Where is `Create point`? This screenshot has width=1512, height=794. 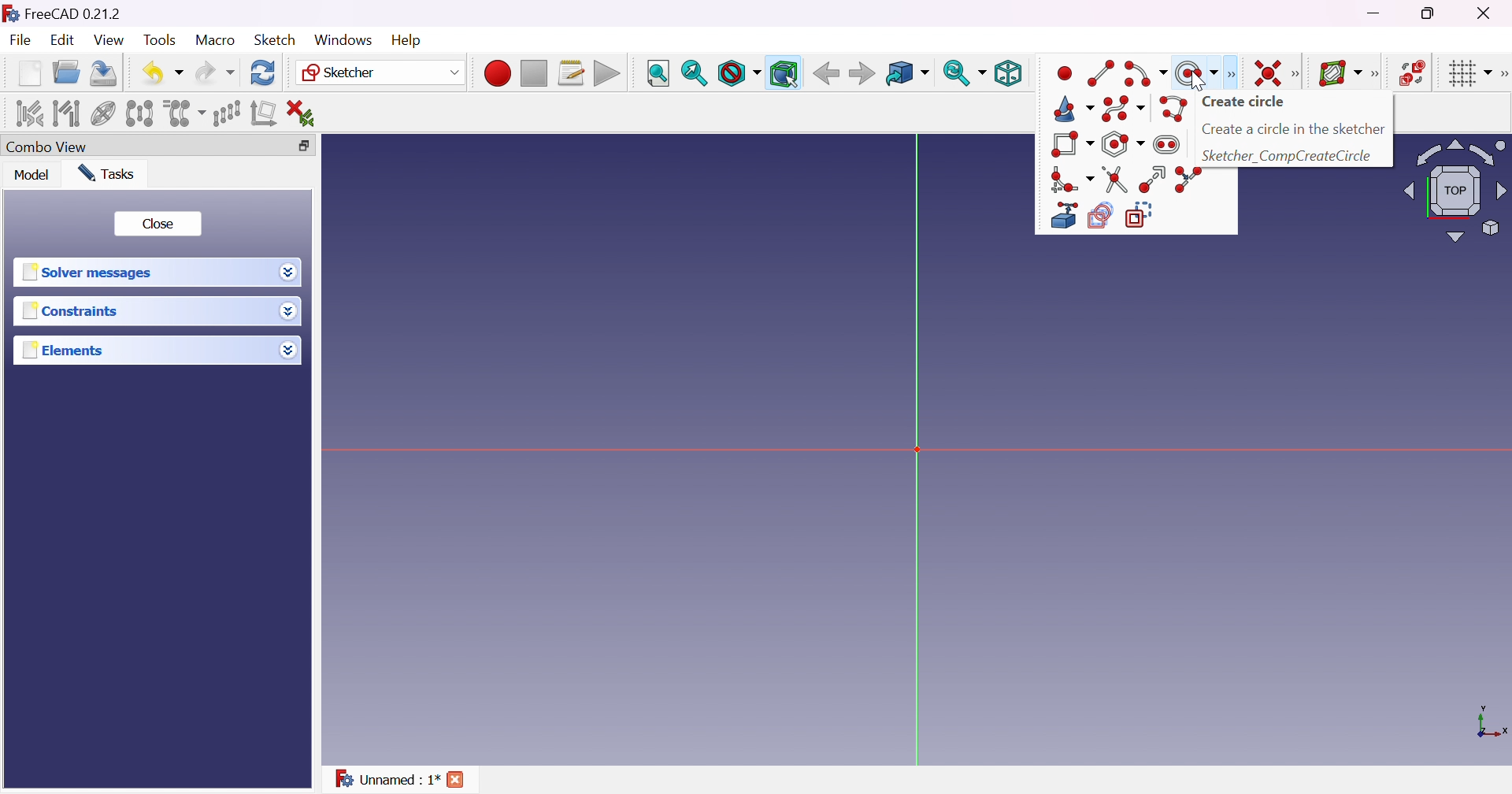
Create point is located at coordinates (1065, 73).